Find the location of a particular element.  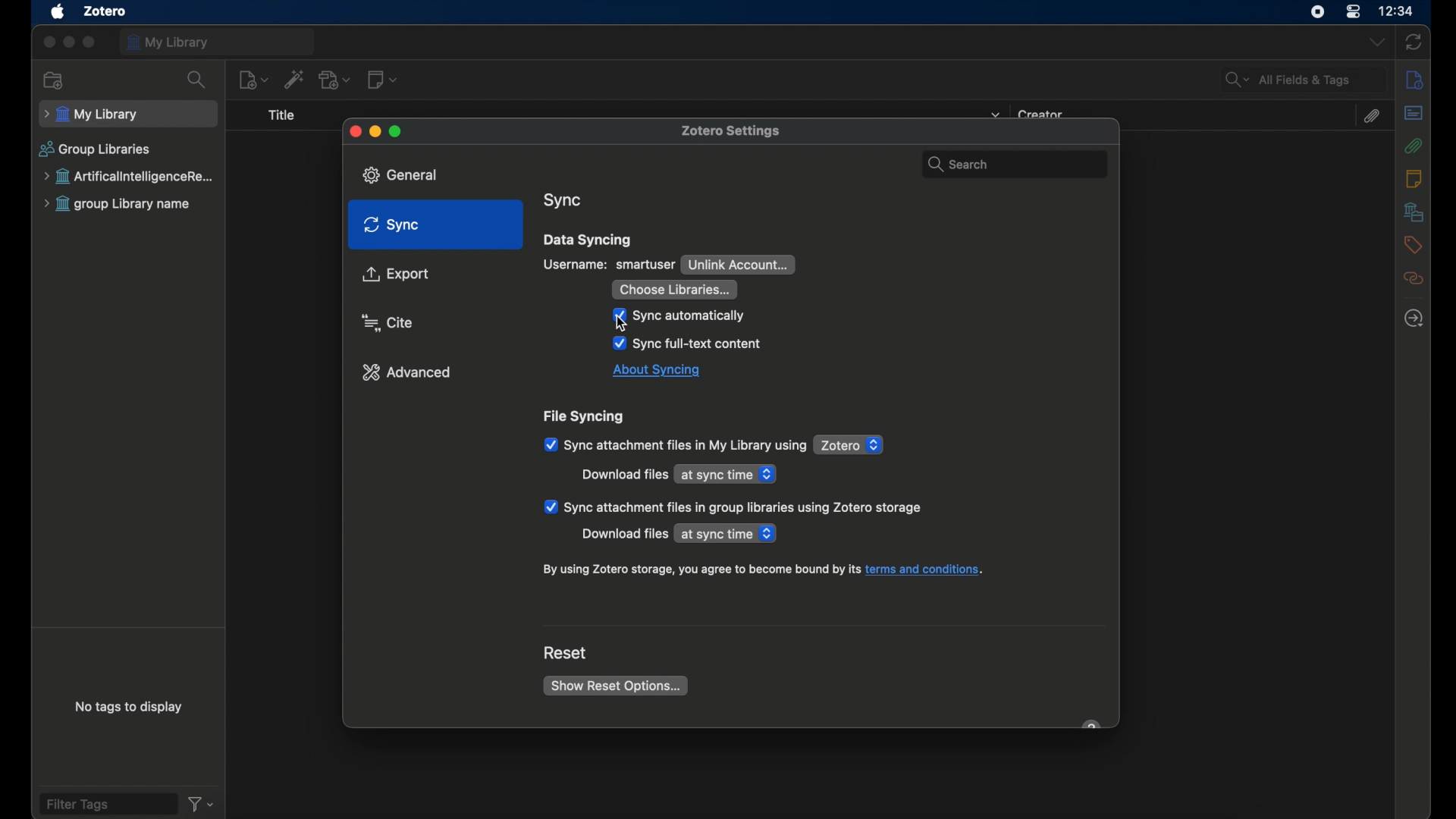

maximize is located at coordinates (397, 130).